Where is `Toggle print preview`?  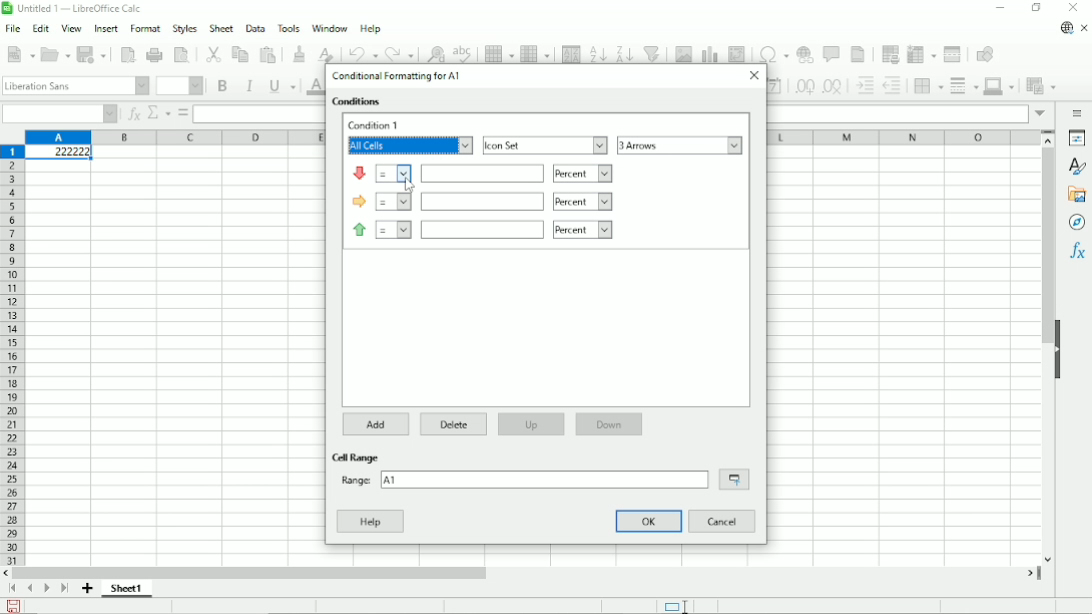 Toggle print preview is located at coordinates (181, 55).